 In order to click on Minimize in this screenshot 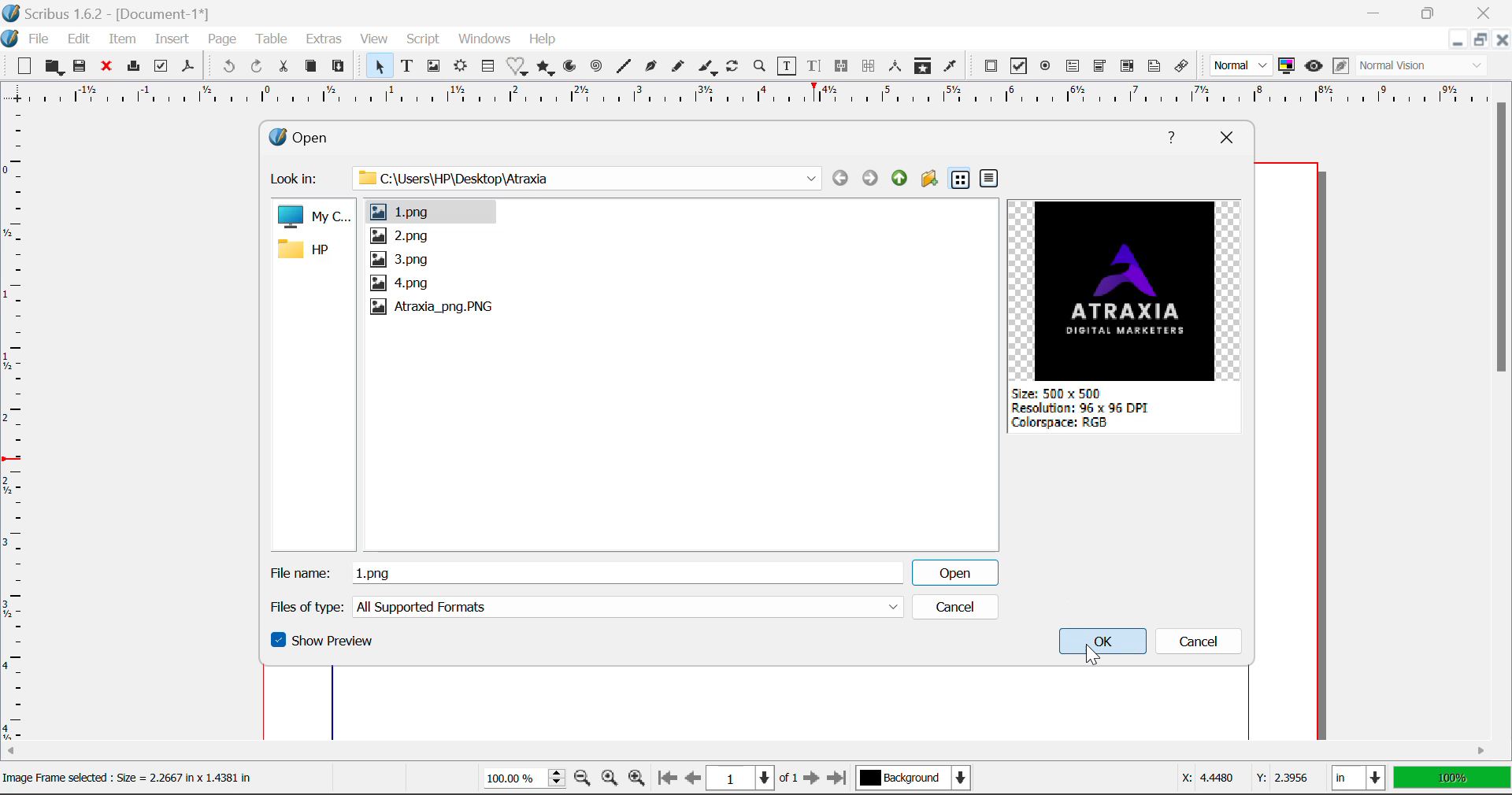, I will do `click(1436, 13)`.